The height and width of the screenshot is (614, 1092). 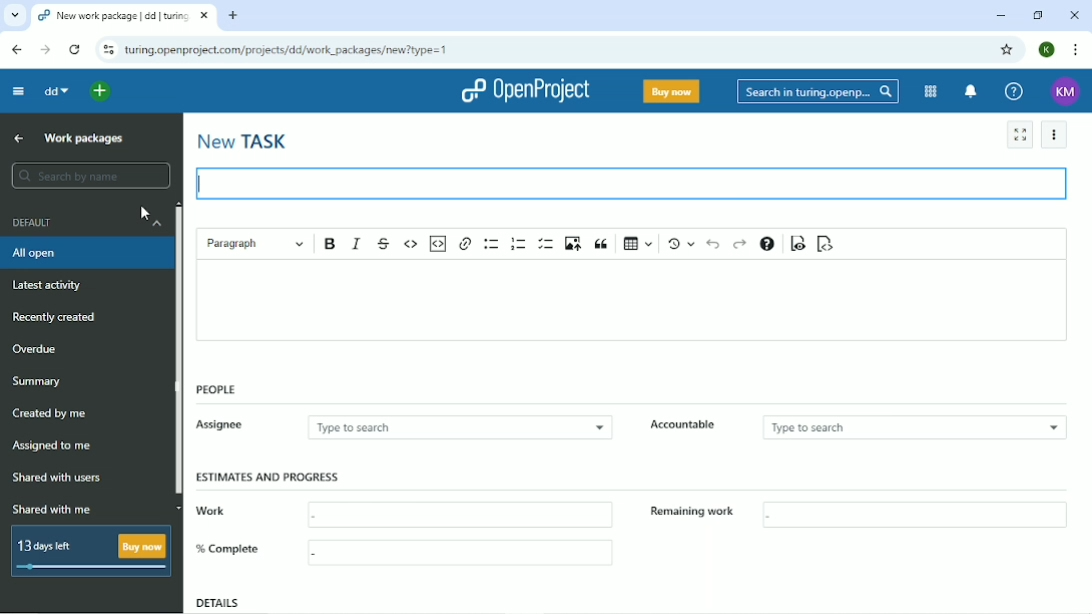 I want to click on close, so click(x=205, y=18).